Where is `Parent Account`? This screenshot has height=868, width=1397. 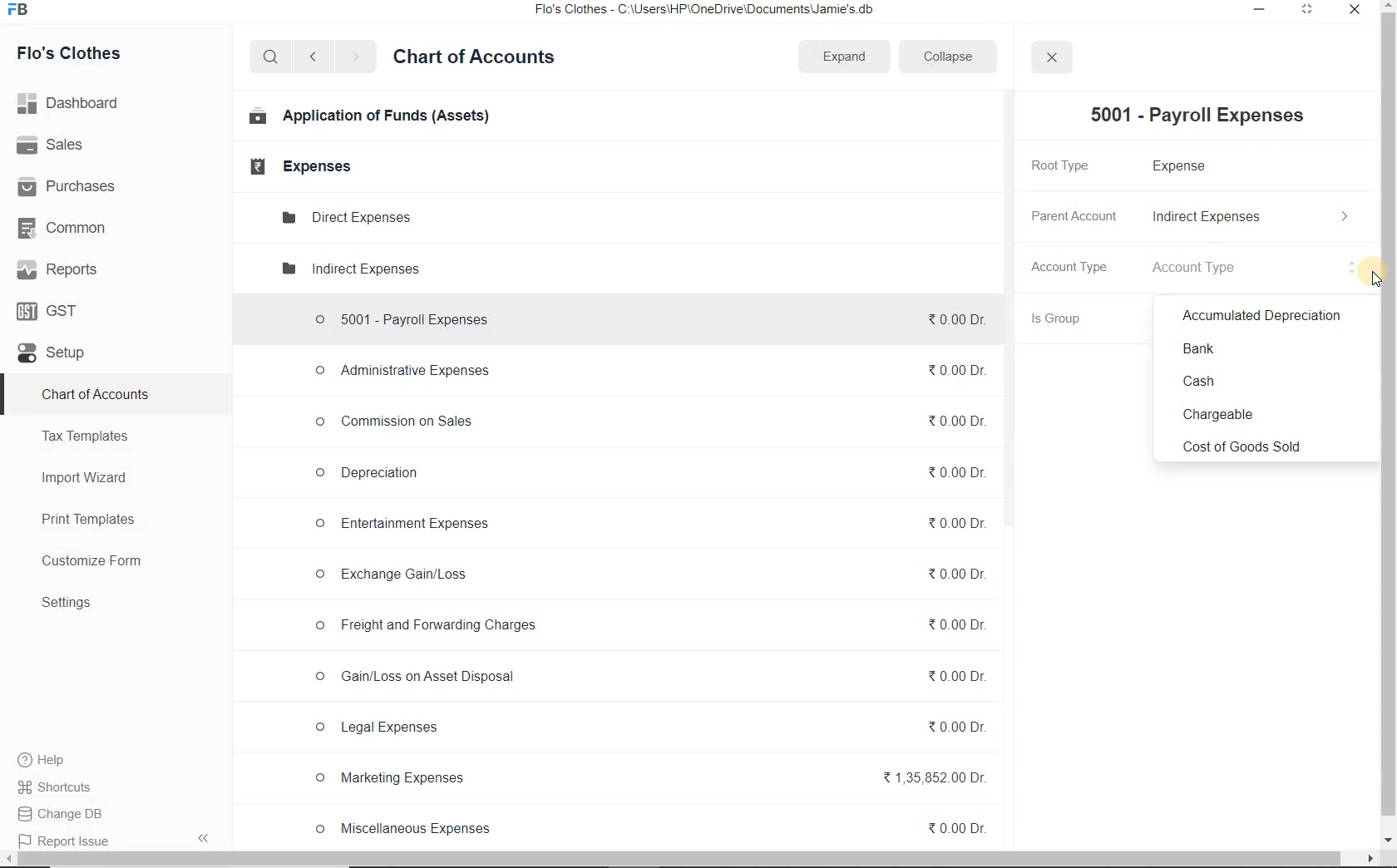
Parent Account is located at coordinates (1071, 214).